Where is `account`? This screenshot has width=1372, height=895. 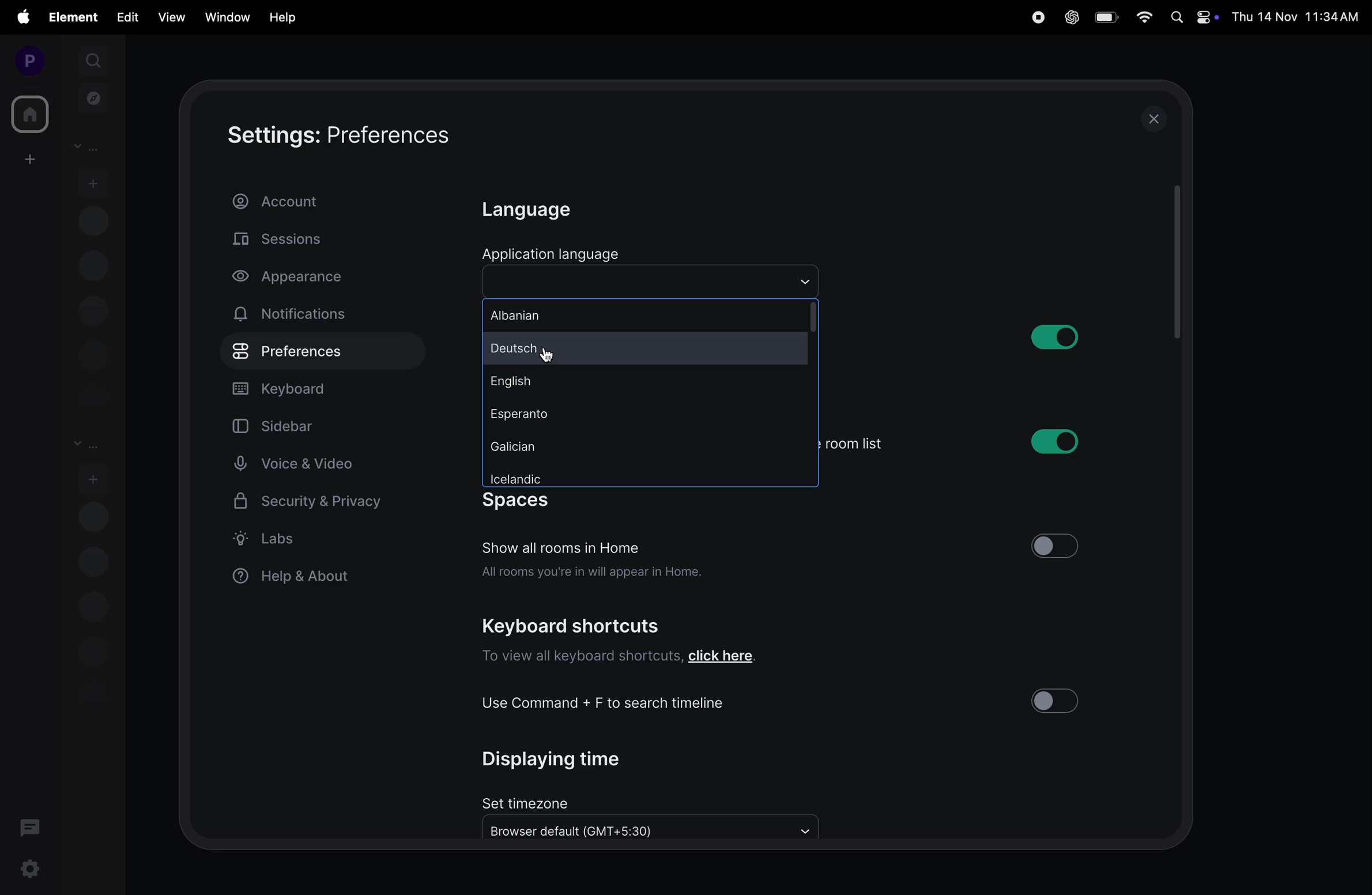
account is located at coordinates (328, 201).